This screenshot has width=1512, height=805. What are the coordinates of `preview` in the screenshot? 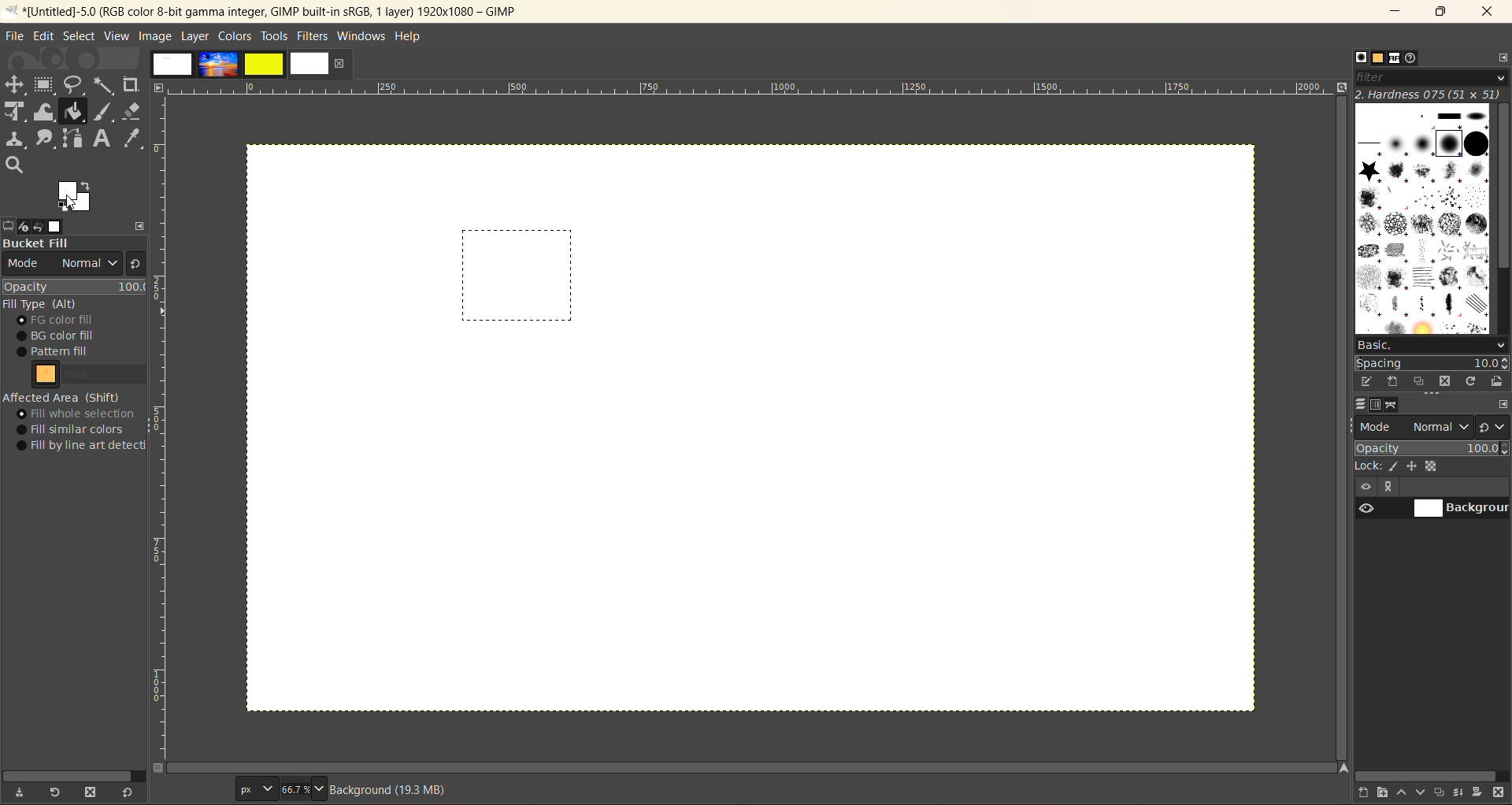 It's located at (1365, 510).